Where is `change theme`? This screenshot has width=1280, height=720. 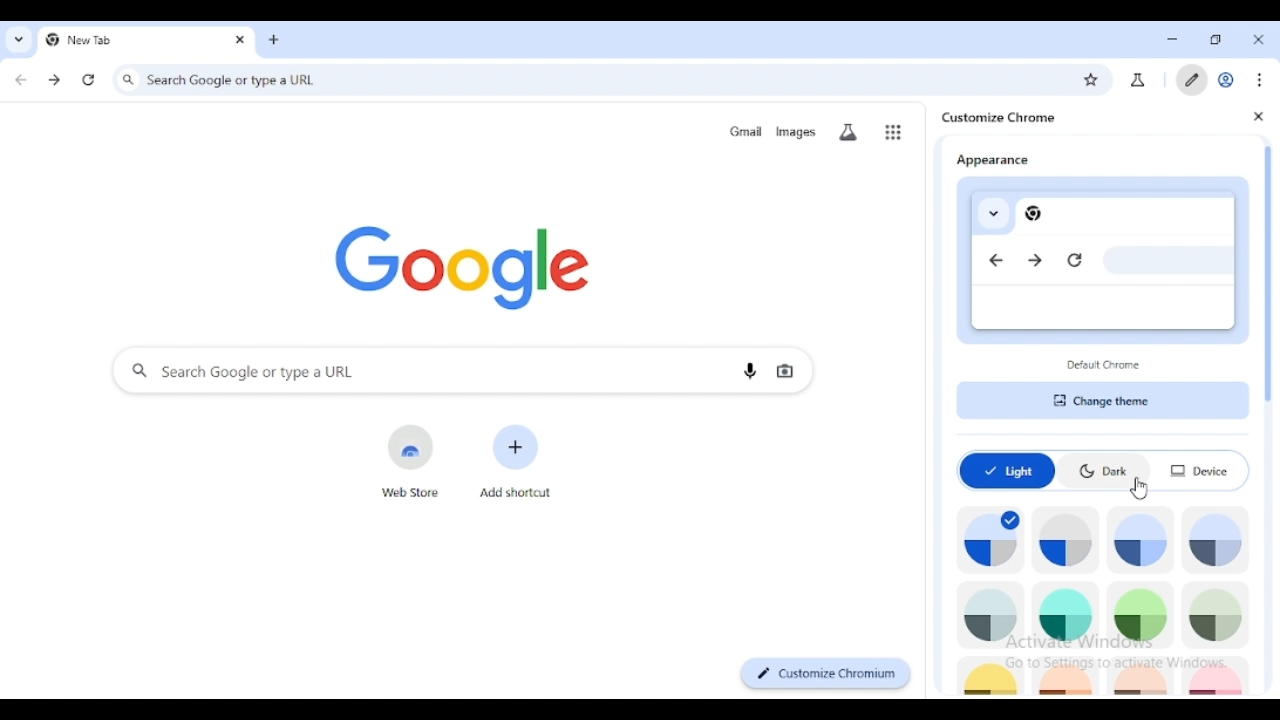
change theme is located at coordinates (1102, 401).